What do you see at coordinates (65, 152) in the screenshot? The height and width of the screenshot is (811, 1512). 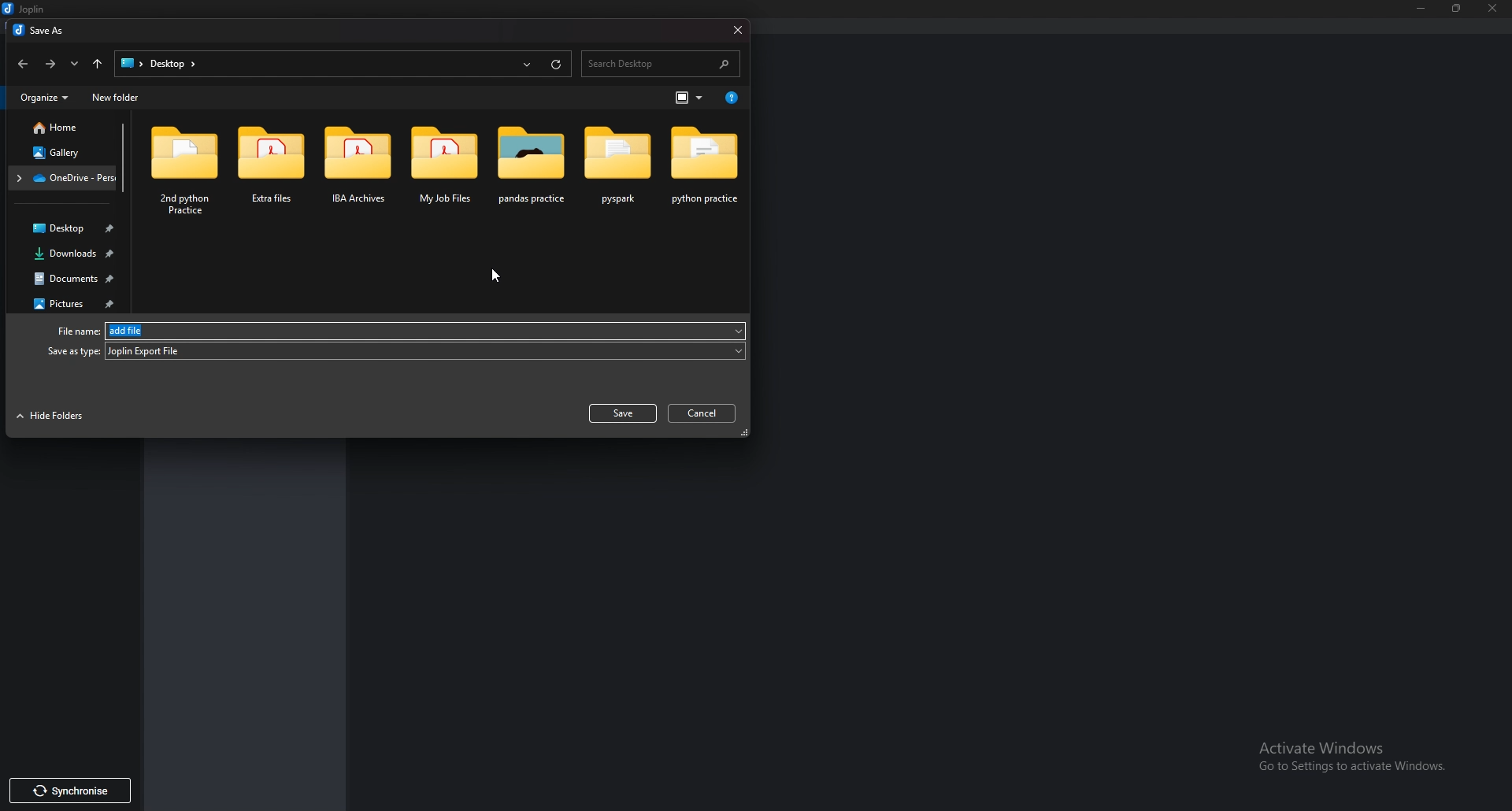 I see `Gallery` at bounding box center [65, 152].